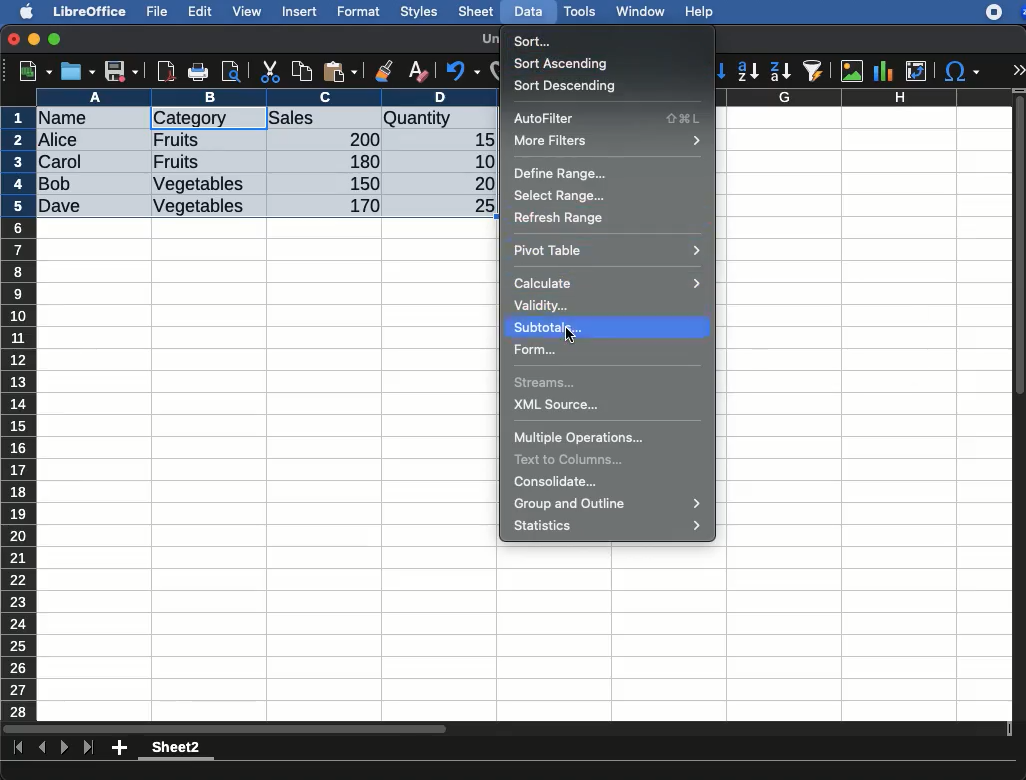  I want to click on close, so click(15, 41).